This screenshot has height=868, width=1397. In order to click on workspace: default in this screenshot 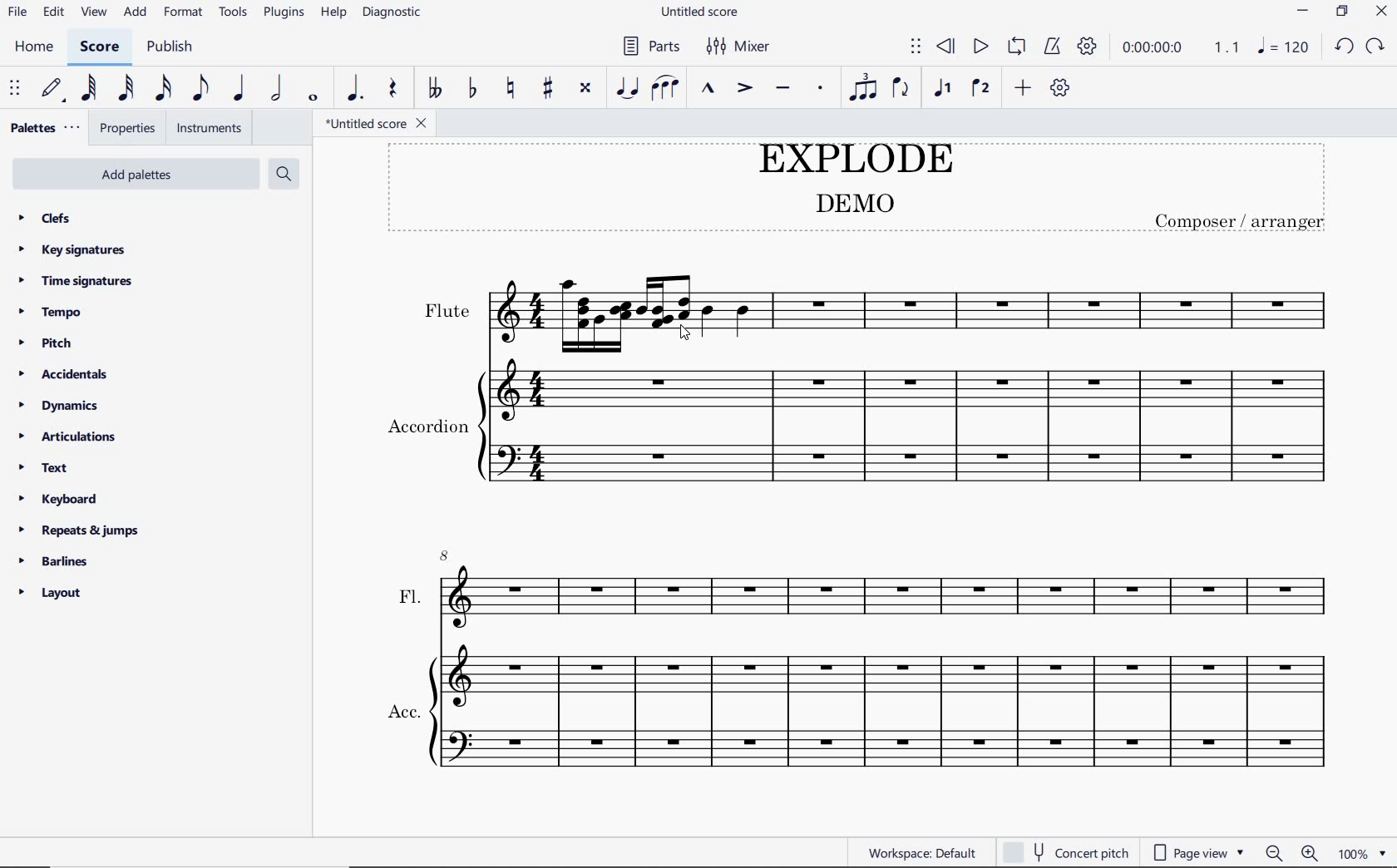, I will do `click(916, 850)`.